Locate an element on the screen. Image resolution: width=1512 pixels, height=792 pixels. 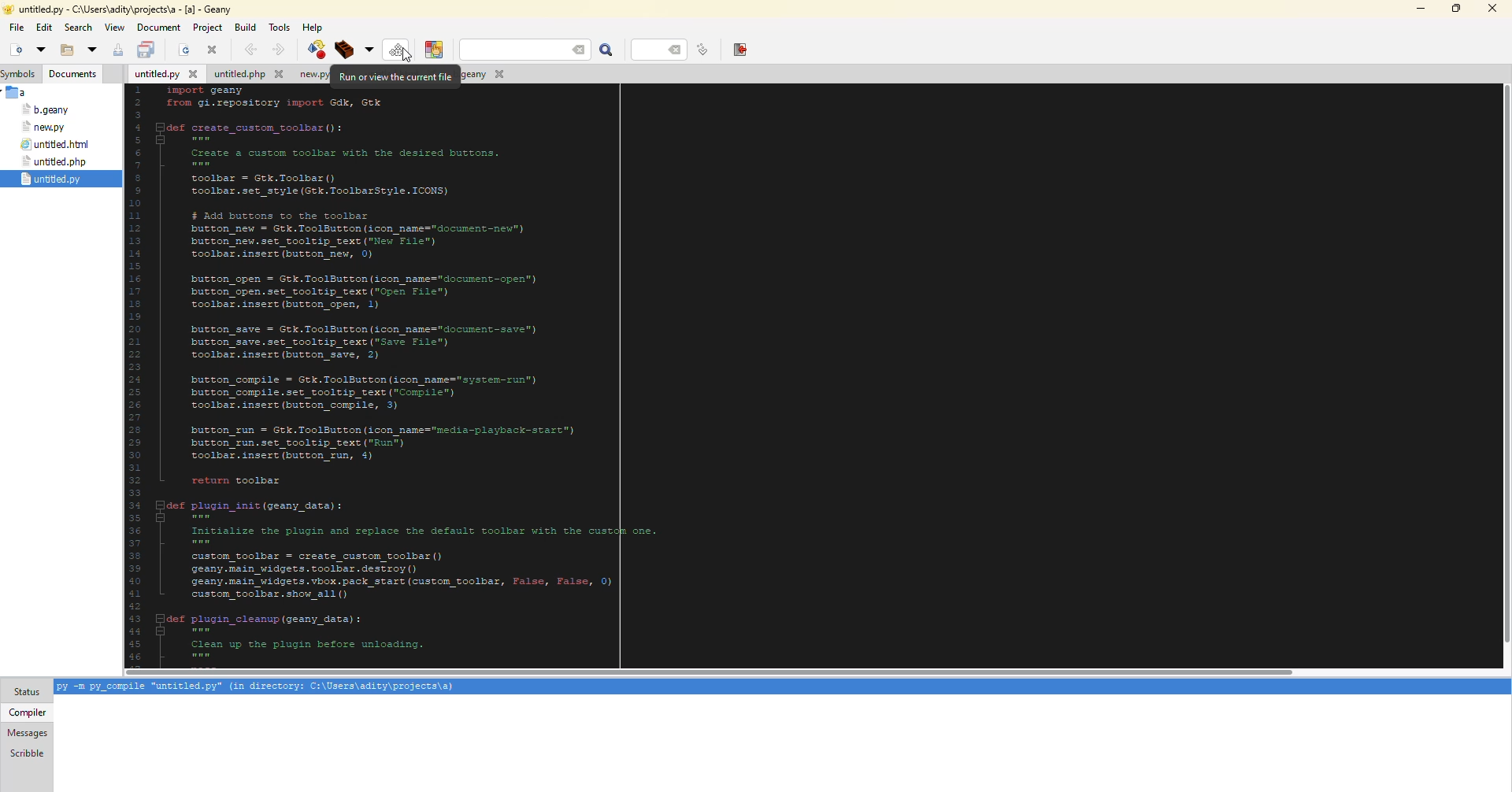
line number is located at coordinates (658, 50).